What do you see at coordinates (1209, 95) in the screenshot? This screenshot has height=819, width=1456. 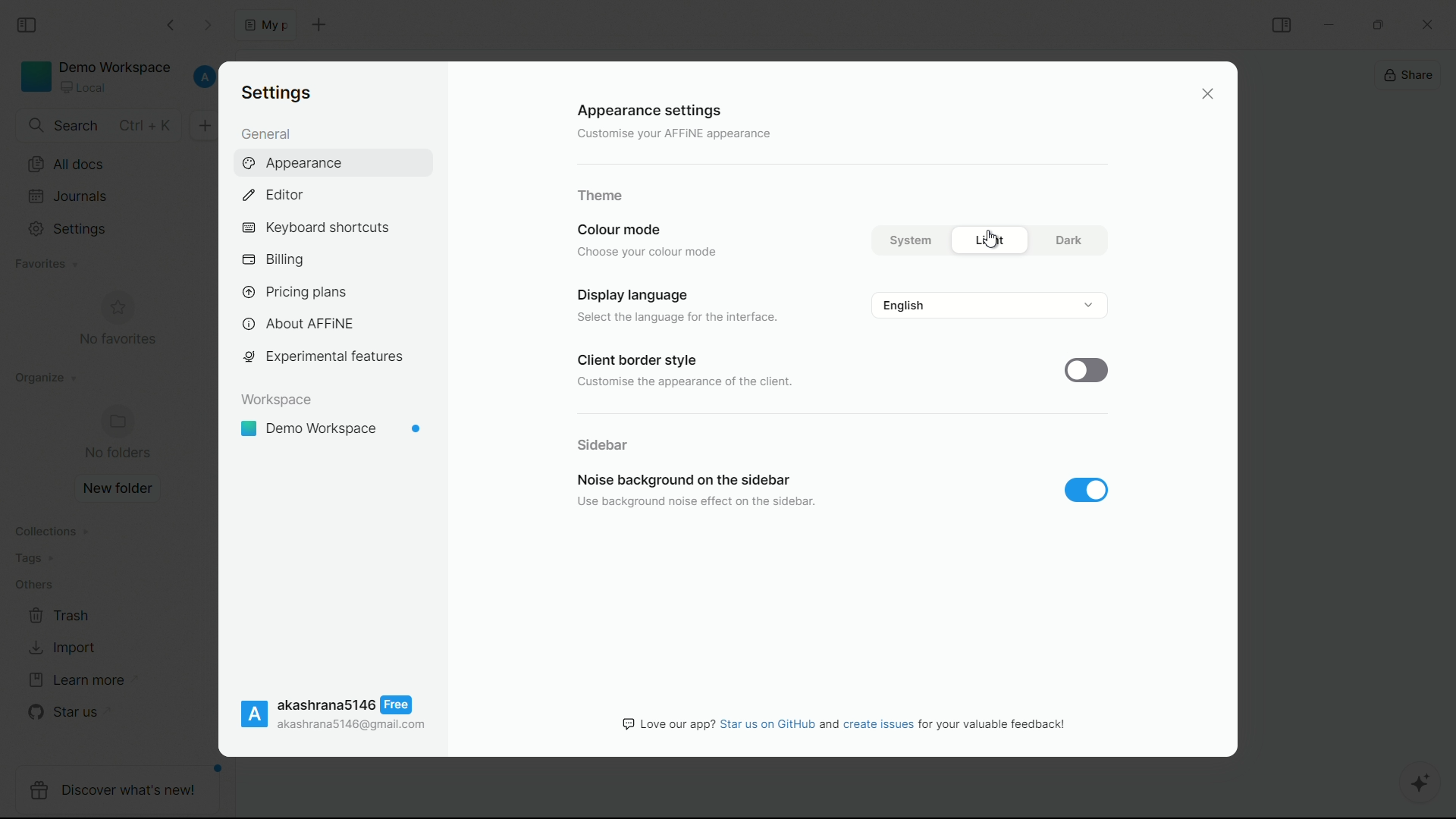 I see `close` at bounding box center [1209, 95].